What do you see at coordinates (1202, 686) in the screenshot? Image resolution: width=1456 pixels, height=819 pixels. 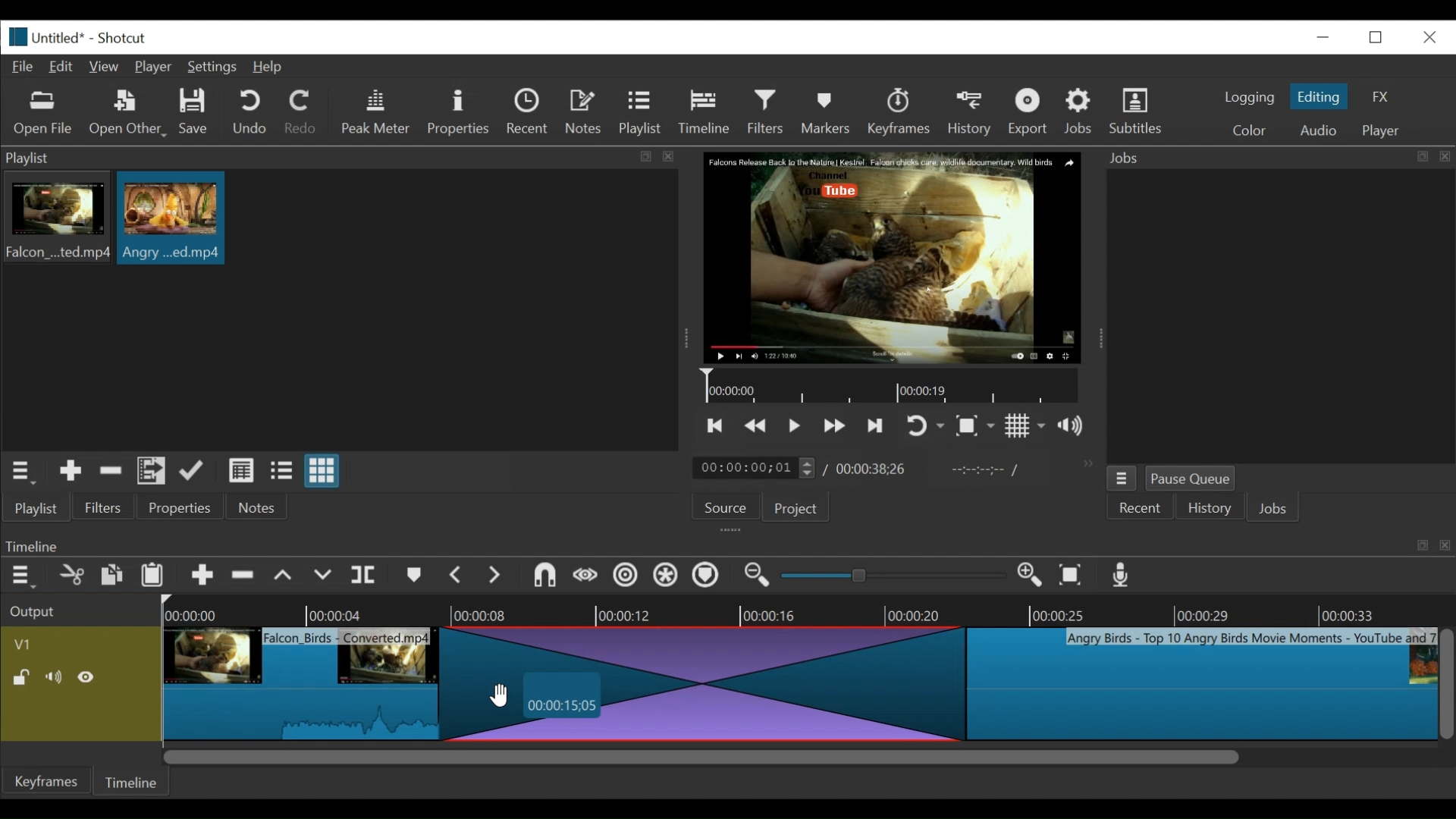 I see `clip` at bounding box center [1202, 686].